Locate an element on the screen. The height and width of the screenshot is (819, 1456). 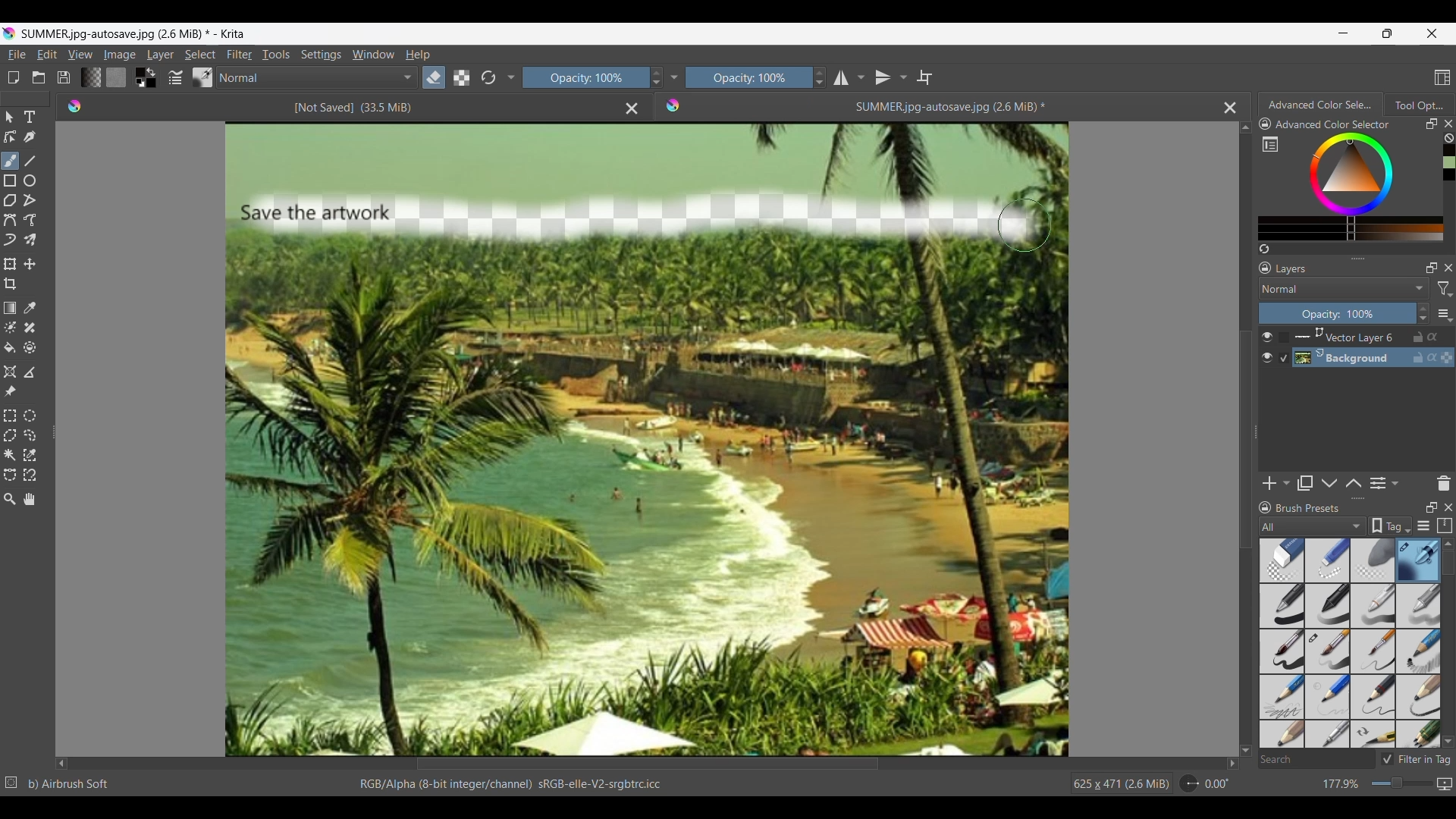
Increase/Decrease opacity is located at coordinates (1423, 313).